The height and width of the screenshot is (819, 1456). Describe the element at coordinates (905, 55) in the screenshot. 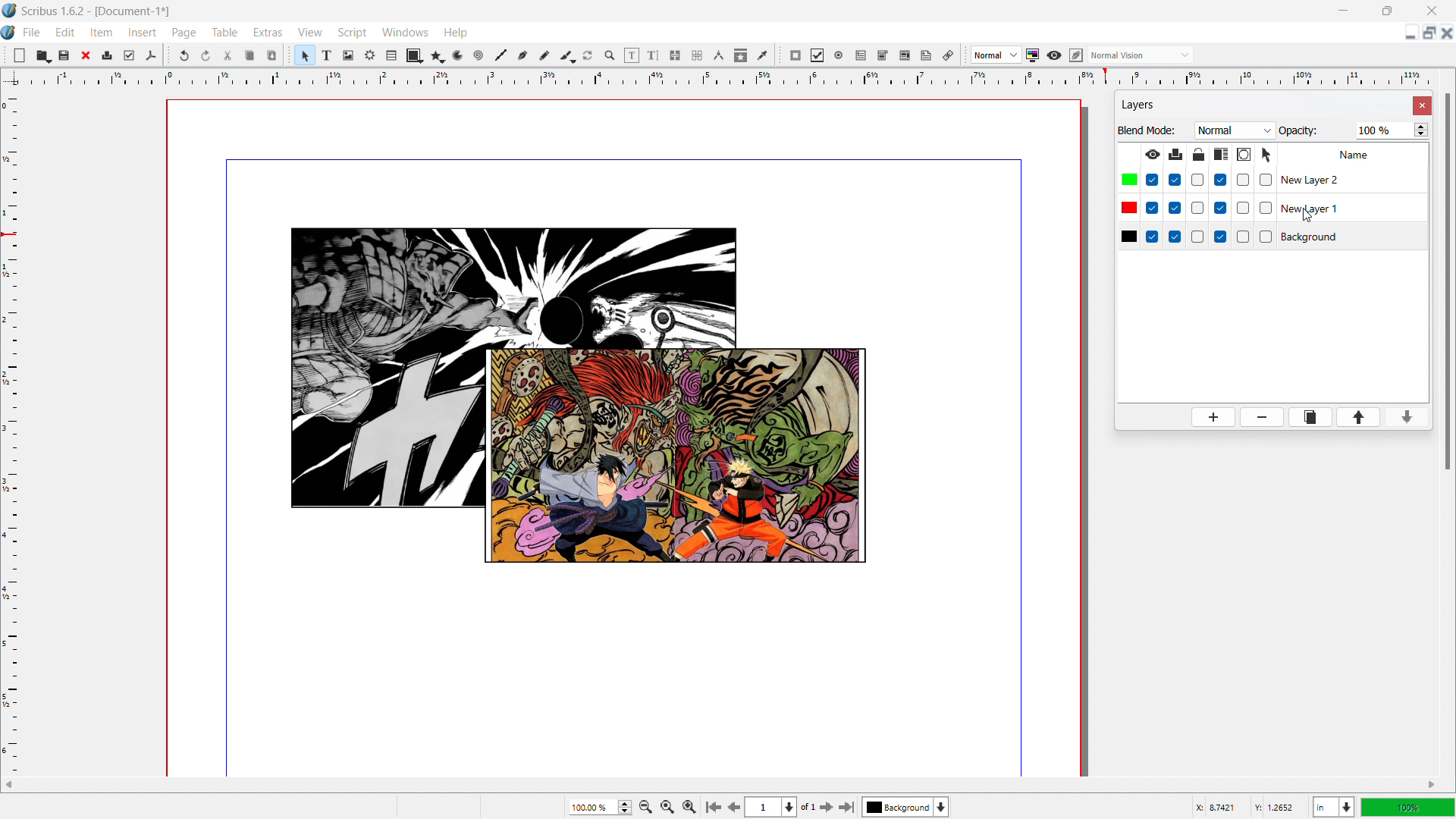

I see `pdf list box` at that location.